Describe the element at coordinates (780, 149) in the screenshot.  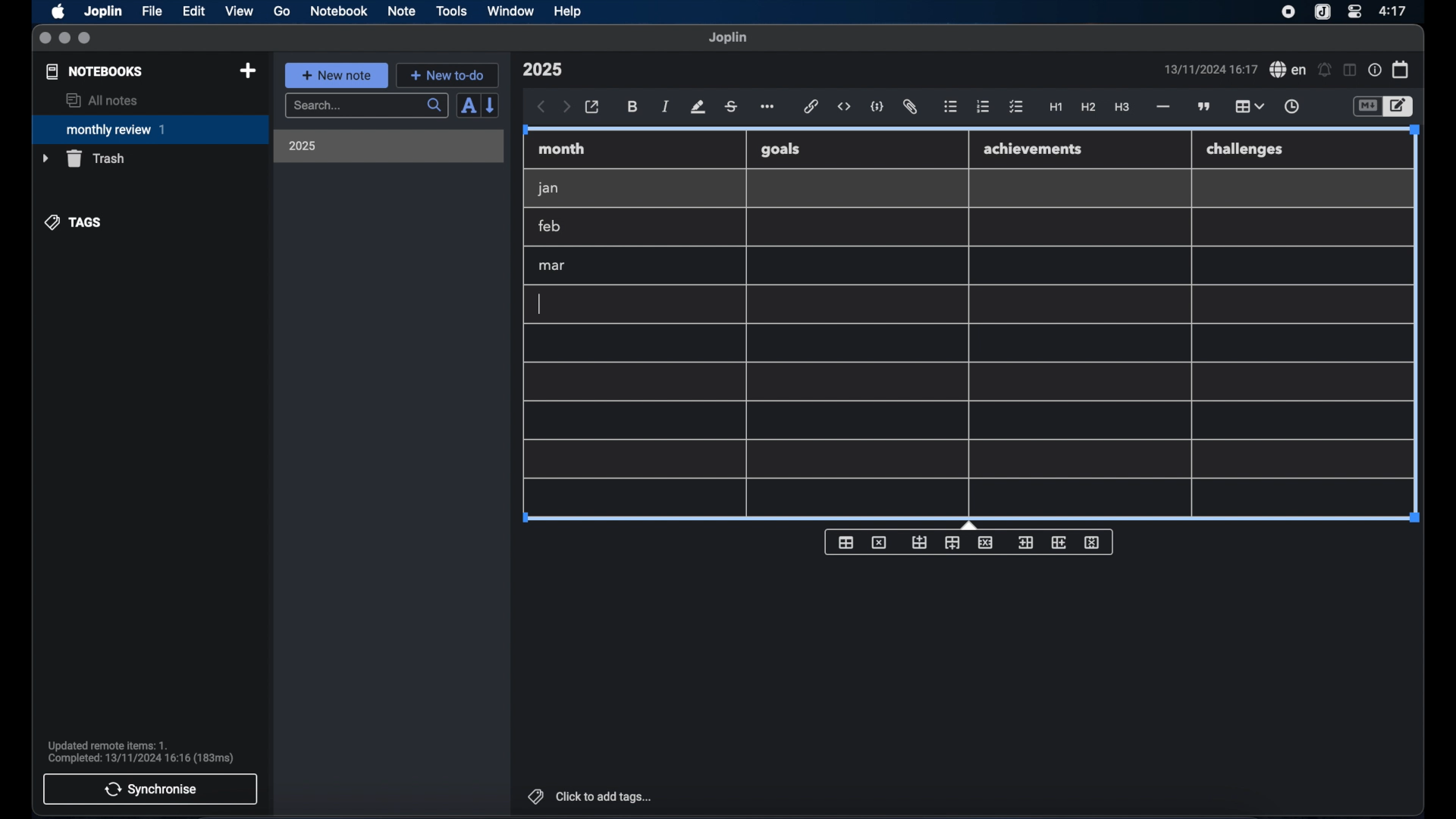
I see `goals` at that location.